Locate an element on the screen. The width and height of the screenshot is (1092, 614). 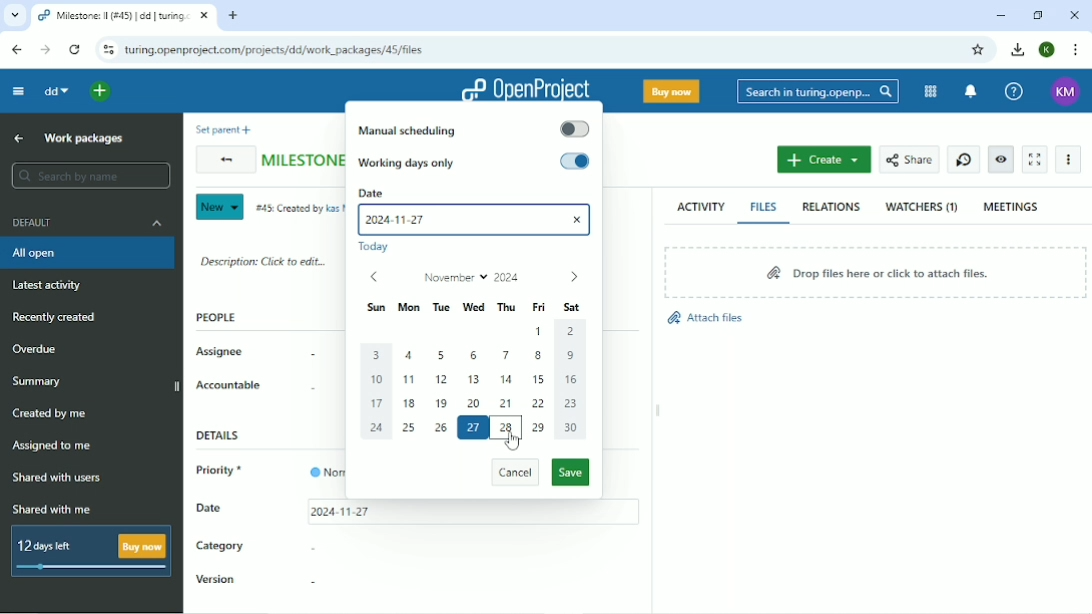
Date is located at coordinates (210, 507).